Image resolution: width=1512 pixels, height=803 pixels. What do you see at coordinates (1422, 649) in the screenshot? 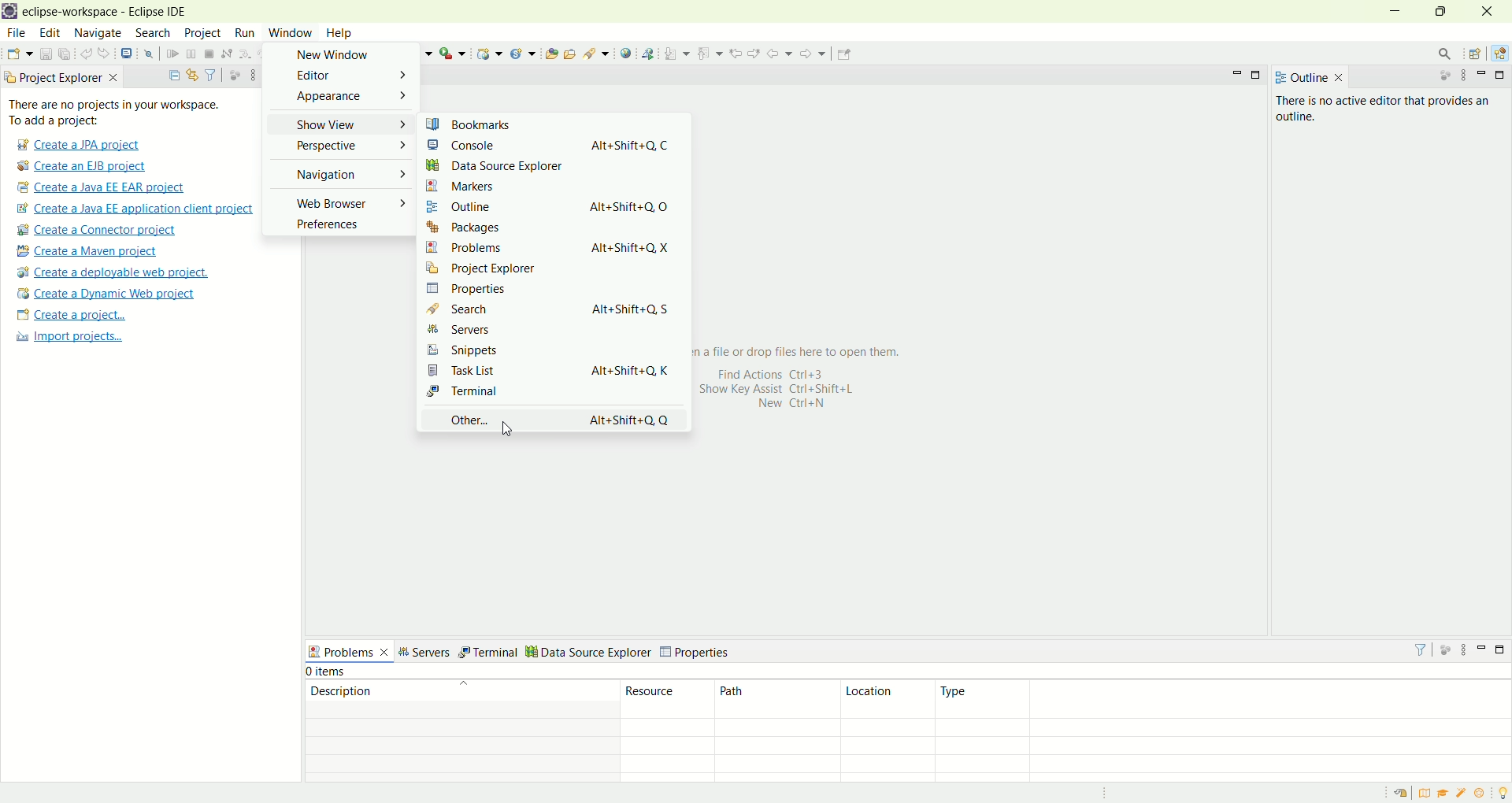
I see `filter` at bounding box center [1422, 649].